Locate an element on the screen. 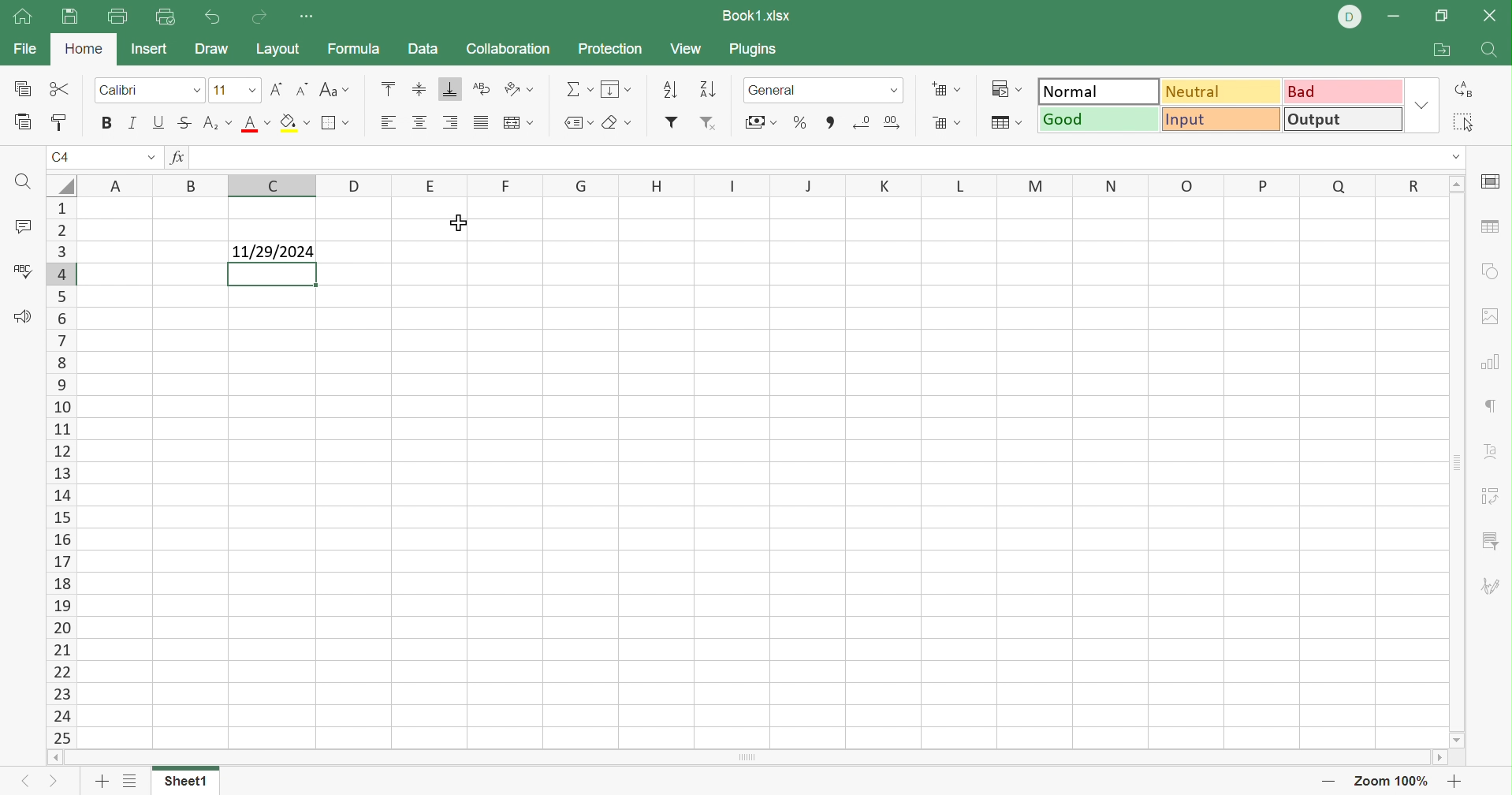 The image size is (1512, 795). Drop Down is located at coordinates (248, 89).